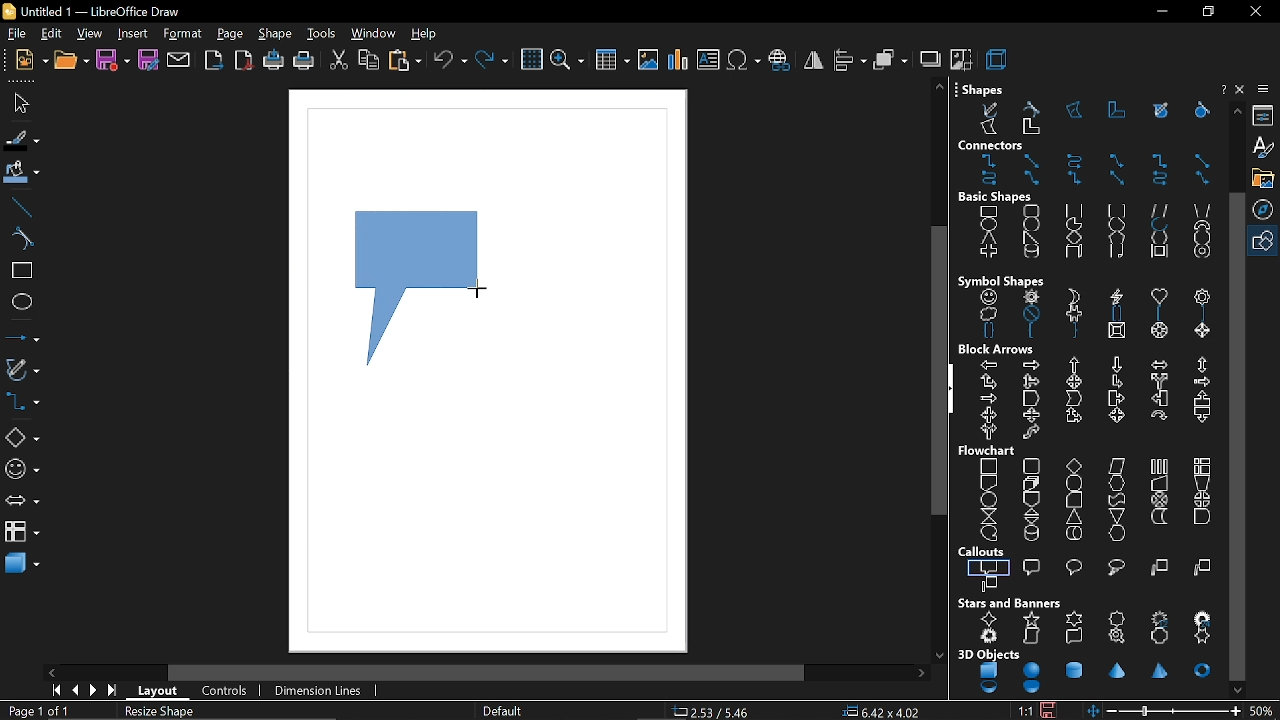 The image size is (1280, 720). What do you see at coordinates (1200, 239) in the screenshot?
I see `octagon` at bounding box center [1200, 239].